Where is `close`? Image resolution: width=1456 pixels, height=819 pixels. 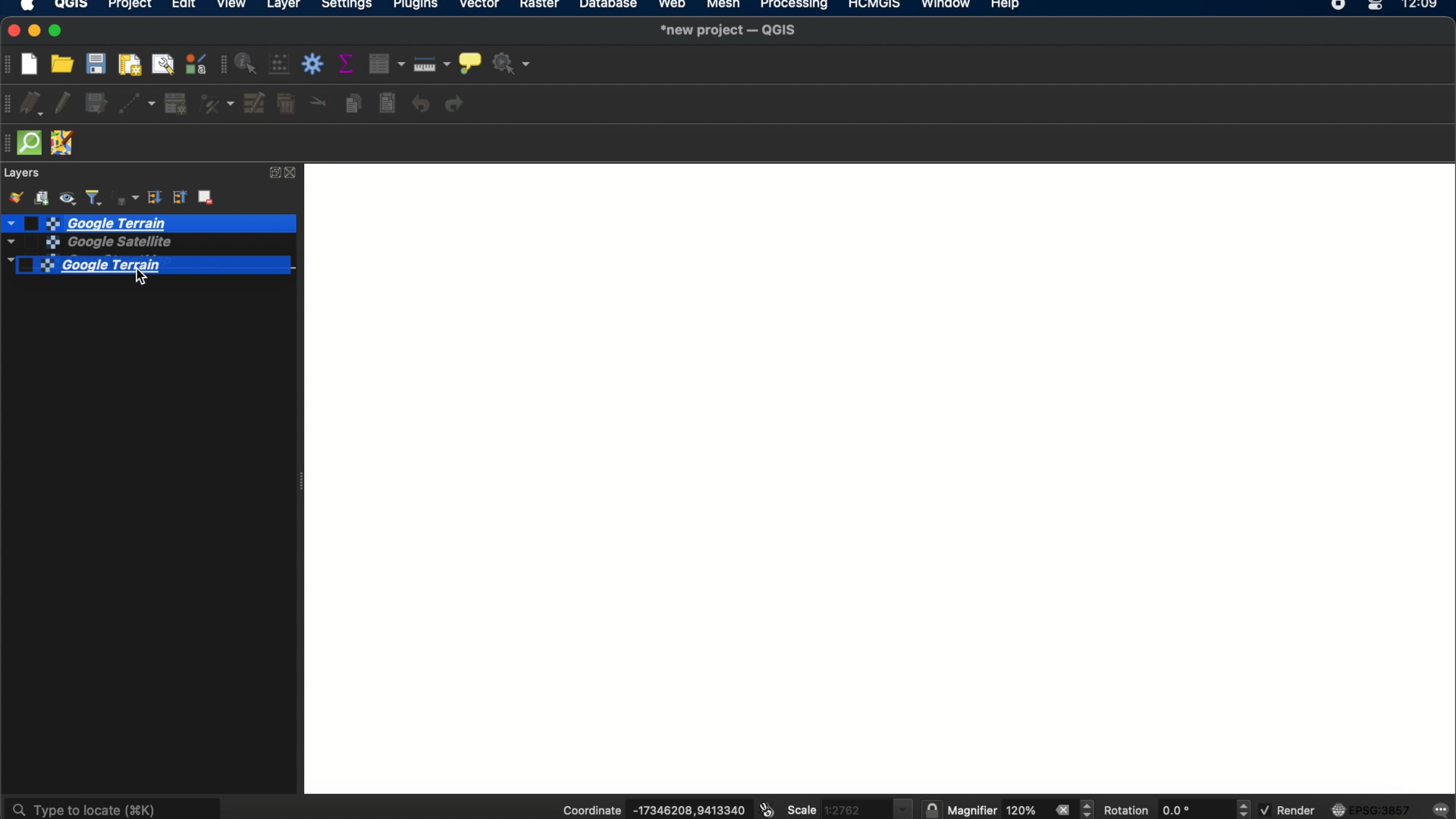 close is located at coordinates (294, 173).